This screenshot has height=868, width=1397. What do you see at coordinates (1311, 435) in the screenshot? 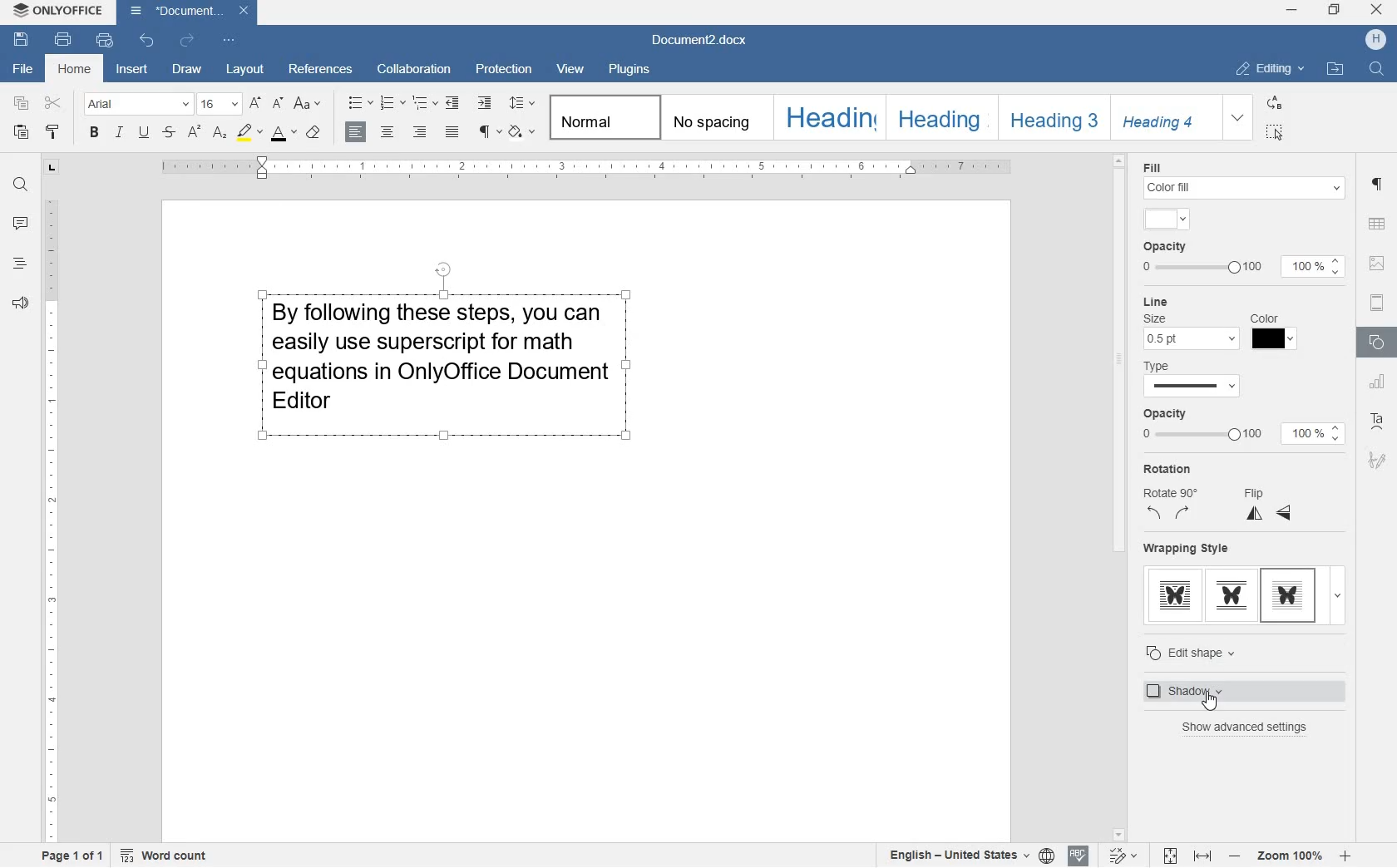
I see `100%` at bounding box center [1311, 435].